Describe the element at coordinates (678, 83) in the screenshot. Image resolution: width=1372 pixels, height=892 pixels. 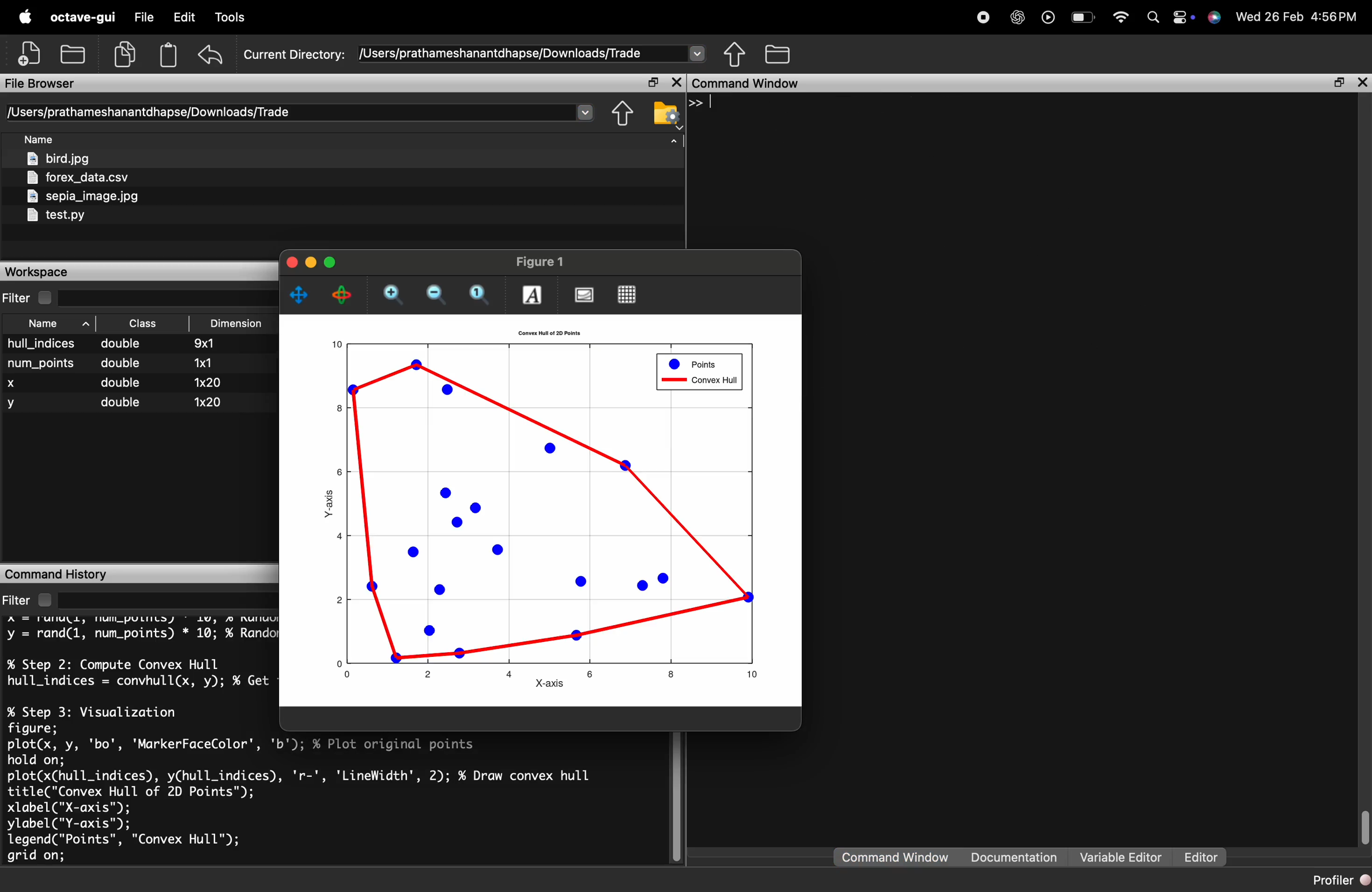
I see `close` at that location.